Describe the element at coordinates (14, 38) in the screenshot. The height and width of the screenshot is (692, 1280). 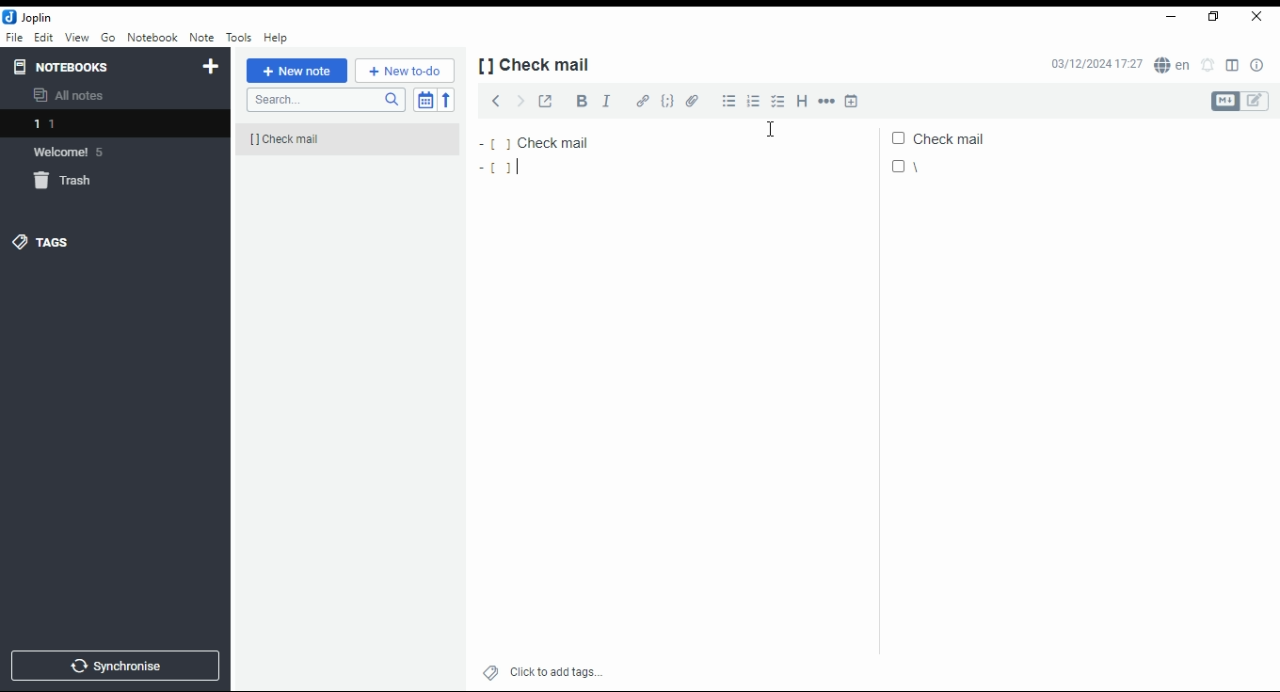
I see `file` at that location.